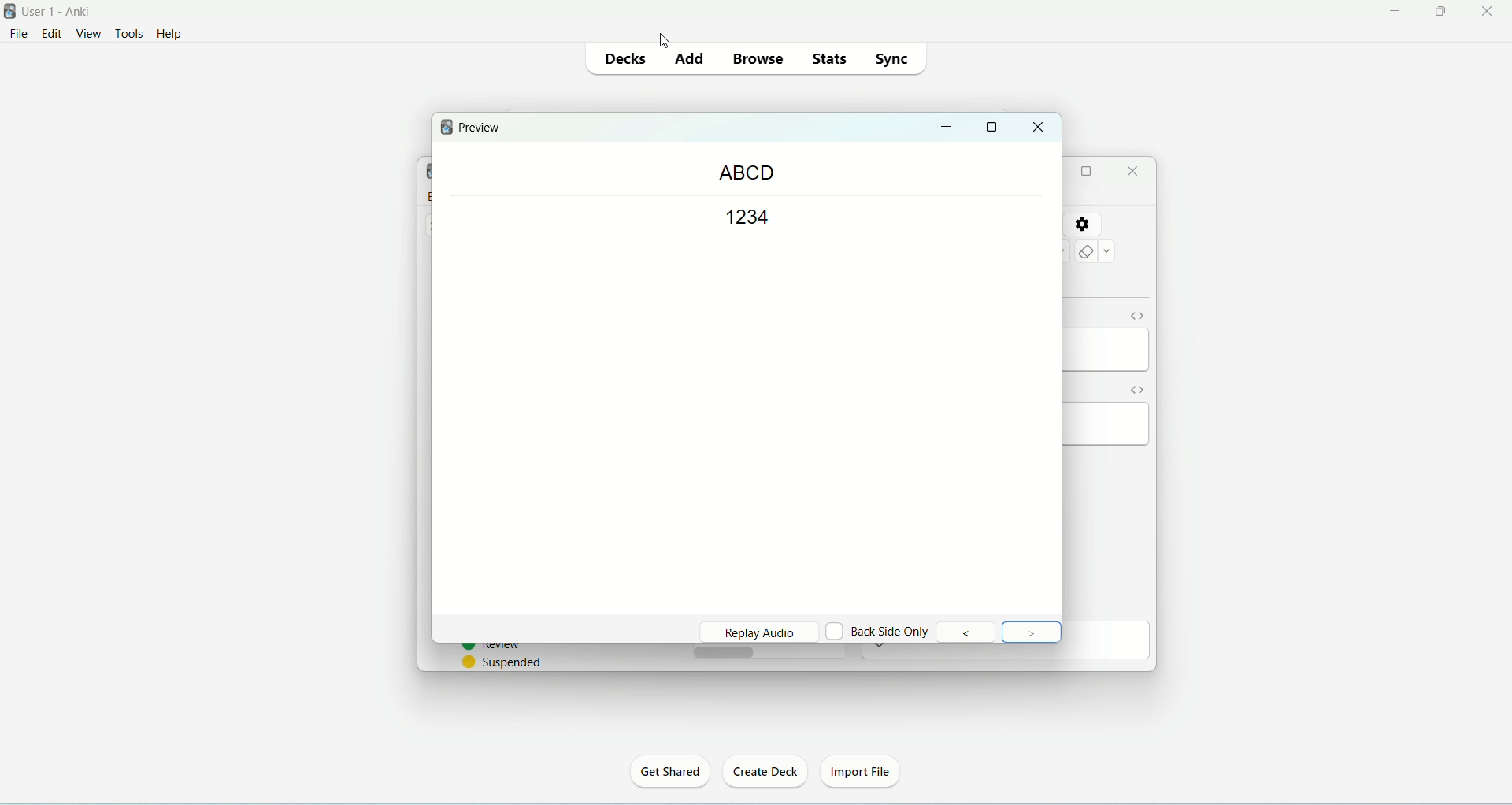  What do you see at coordinates (18, 37) in the screenshot?
I see `file` at bounding box center [18, 37].